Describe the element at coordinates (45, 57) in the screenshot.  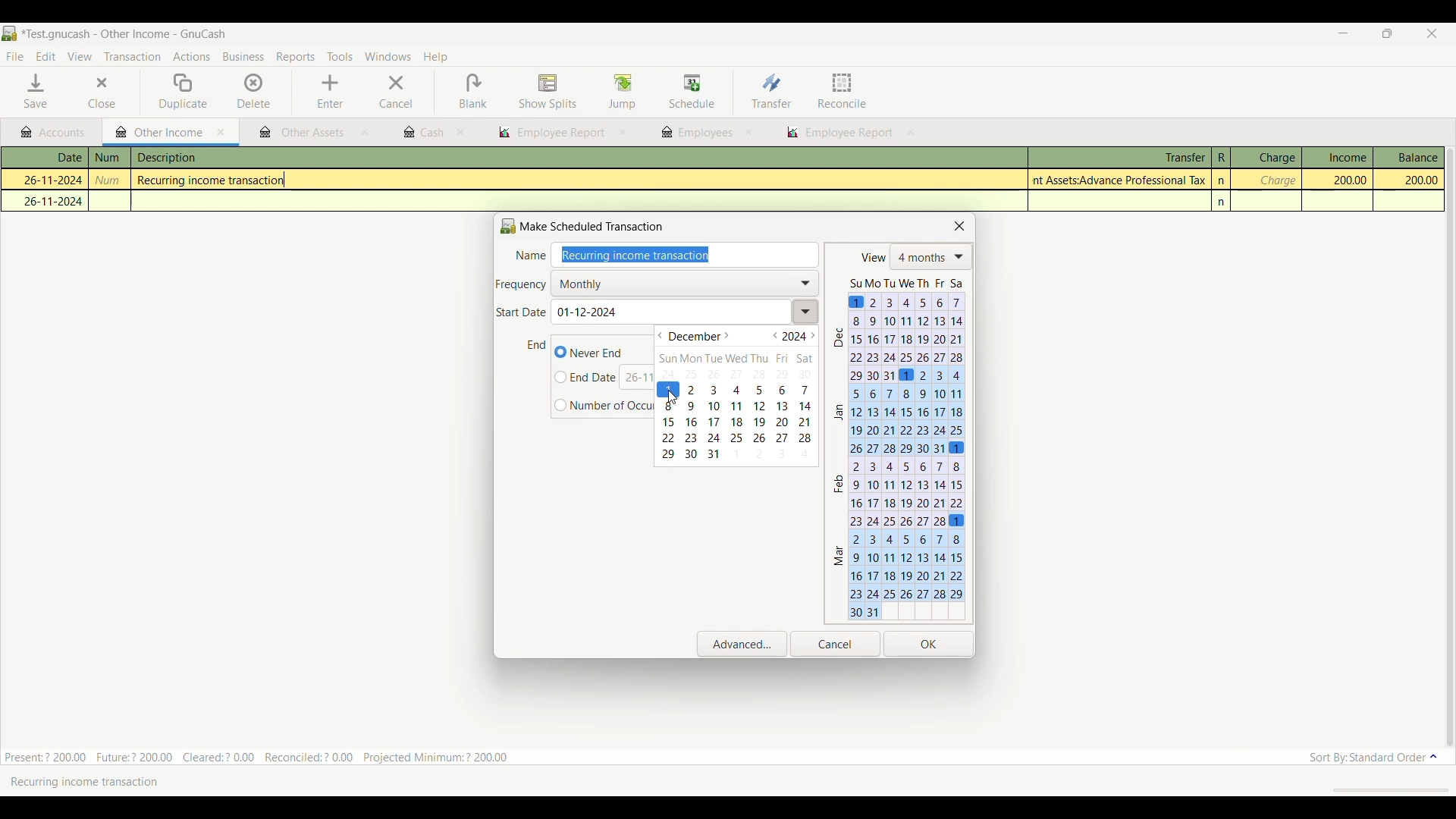
I see `Edit menu` at that location.